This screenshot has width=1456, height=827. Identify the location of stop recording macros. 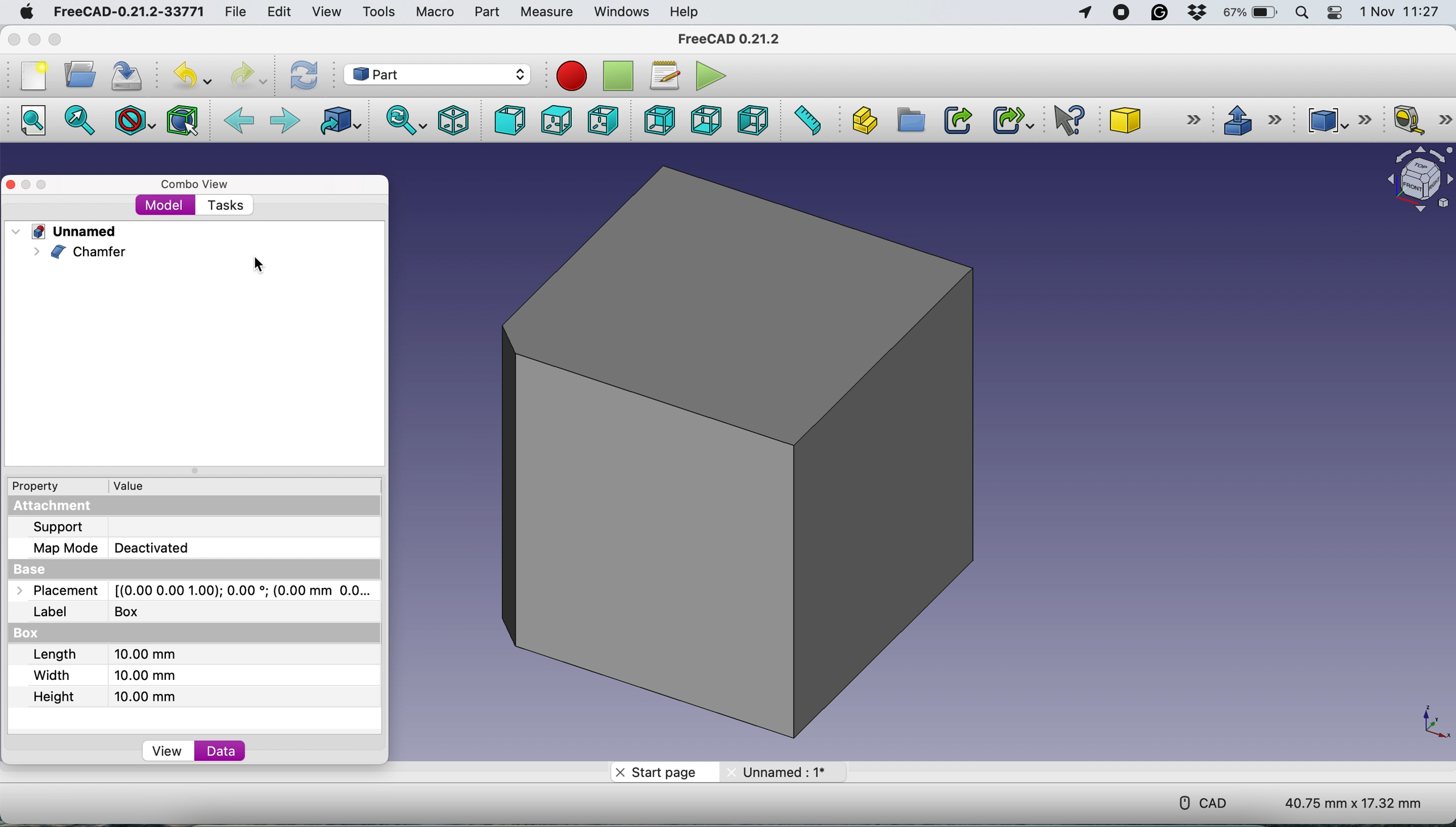
(614, 76).